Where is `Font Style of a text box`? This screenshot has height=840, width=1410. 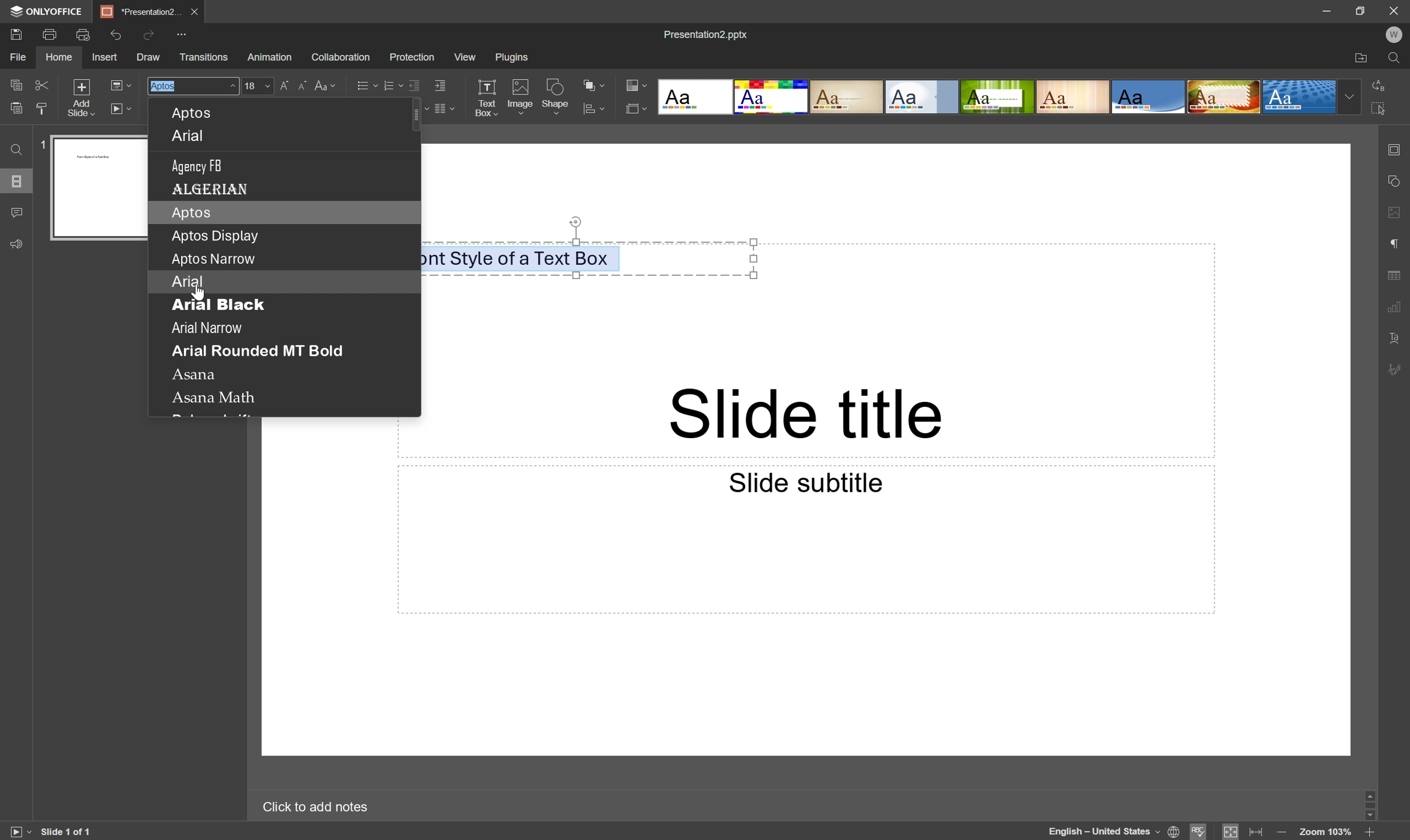
Font Style of a text box is located at coordinates (518, 258).